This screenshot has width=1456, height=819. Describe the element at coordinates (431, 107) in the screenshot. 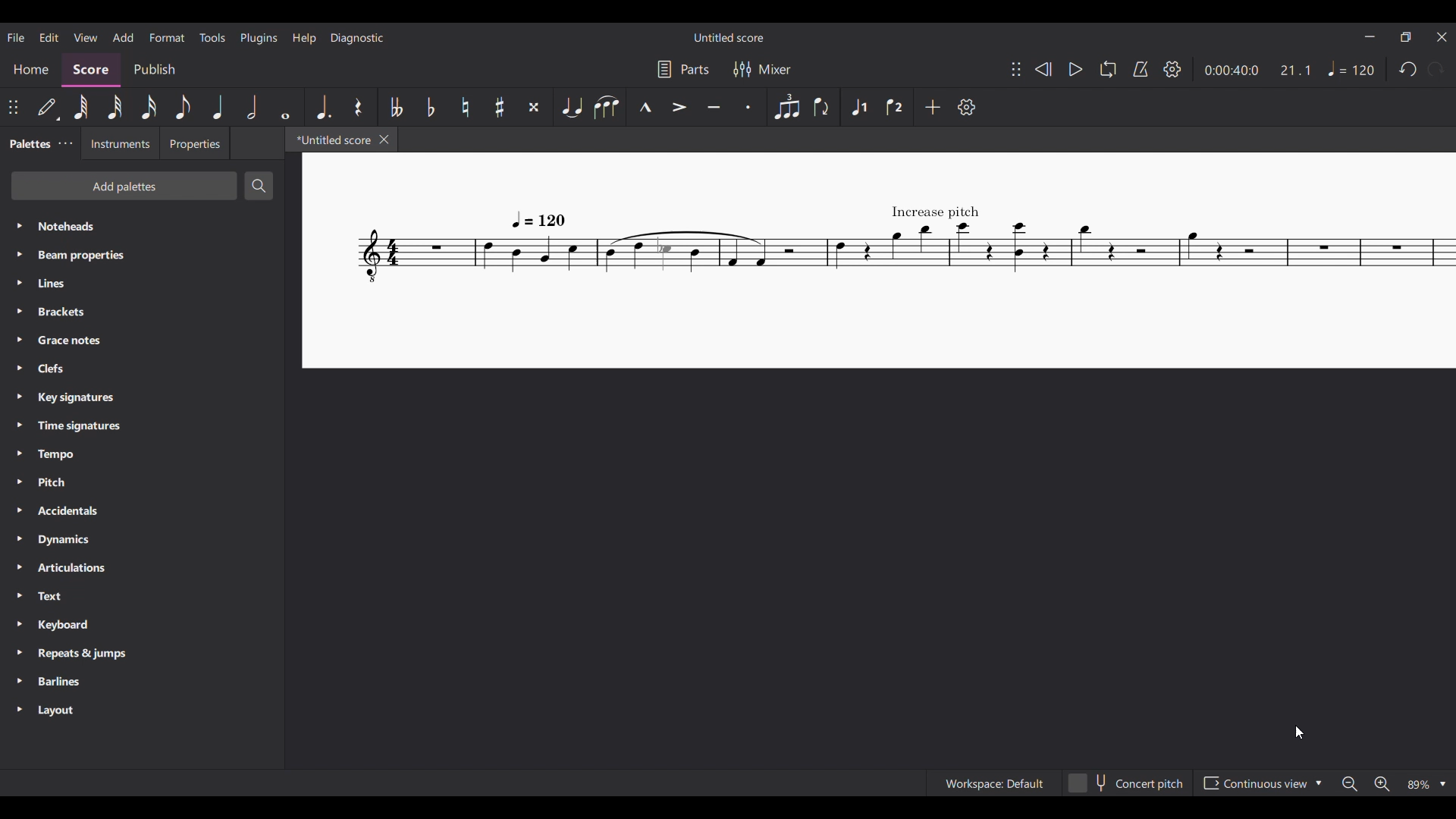

I see `Toggle flat` at that location.